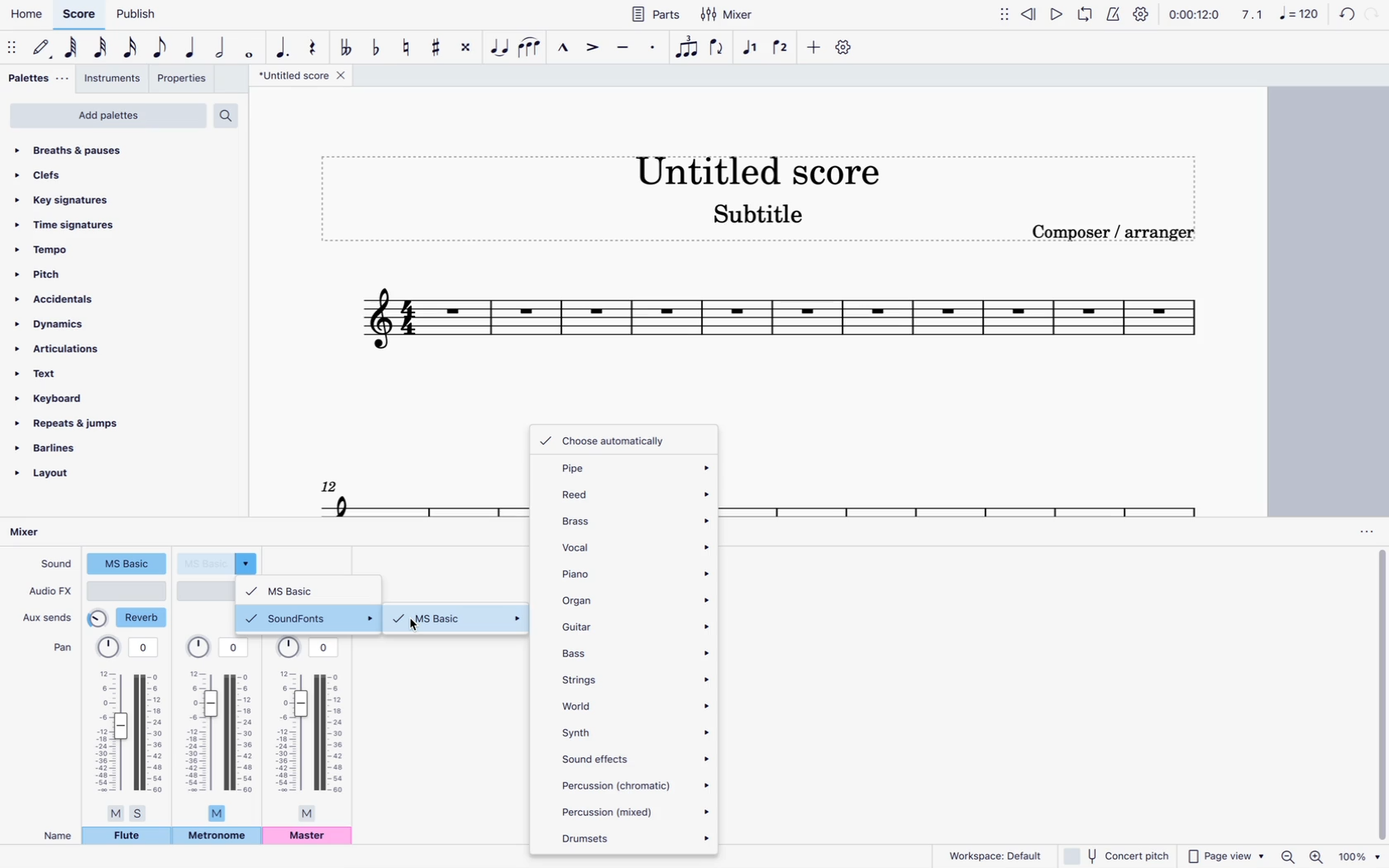 The image size is (1389, 868). What do you see at coordinates (217, 837) in the screenshot?
I see `metronome` at bounding box center [217, 837].